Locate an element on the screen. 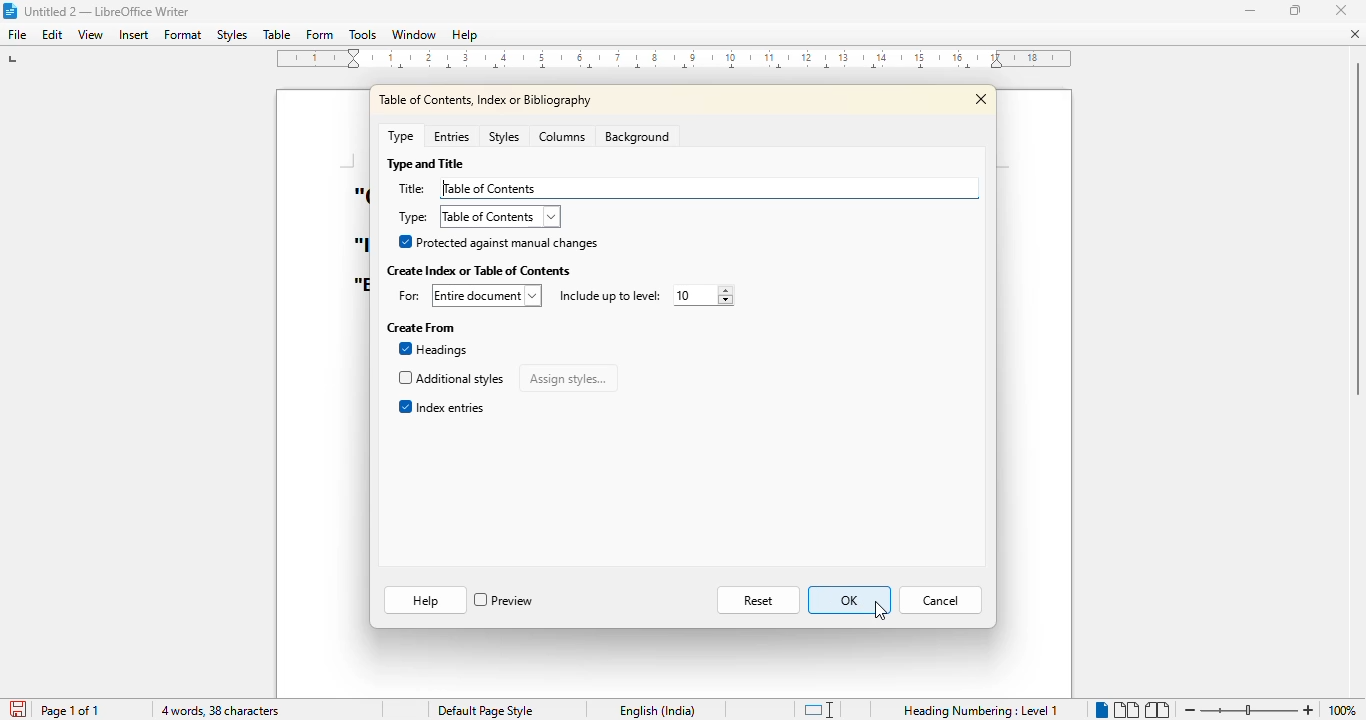 The height and width of the screenshot is (720, 1366). minimize is located at coordinates (1251, 11).